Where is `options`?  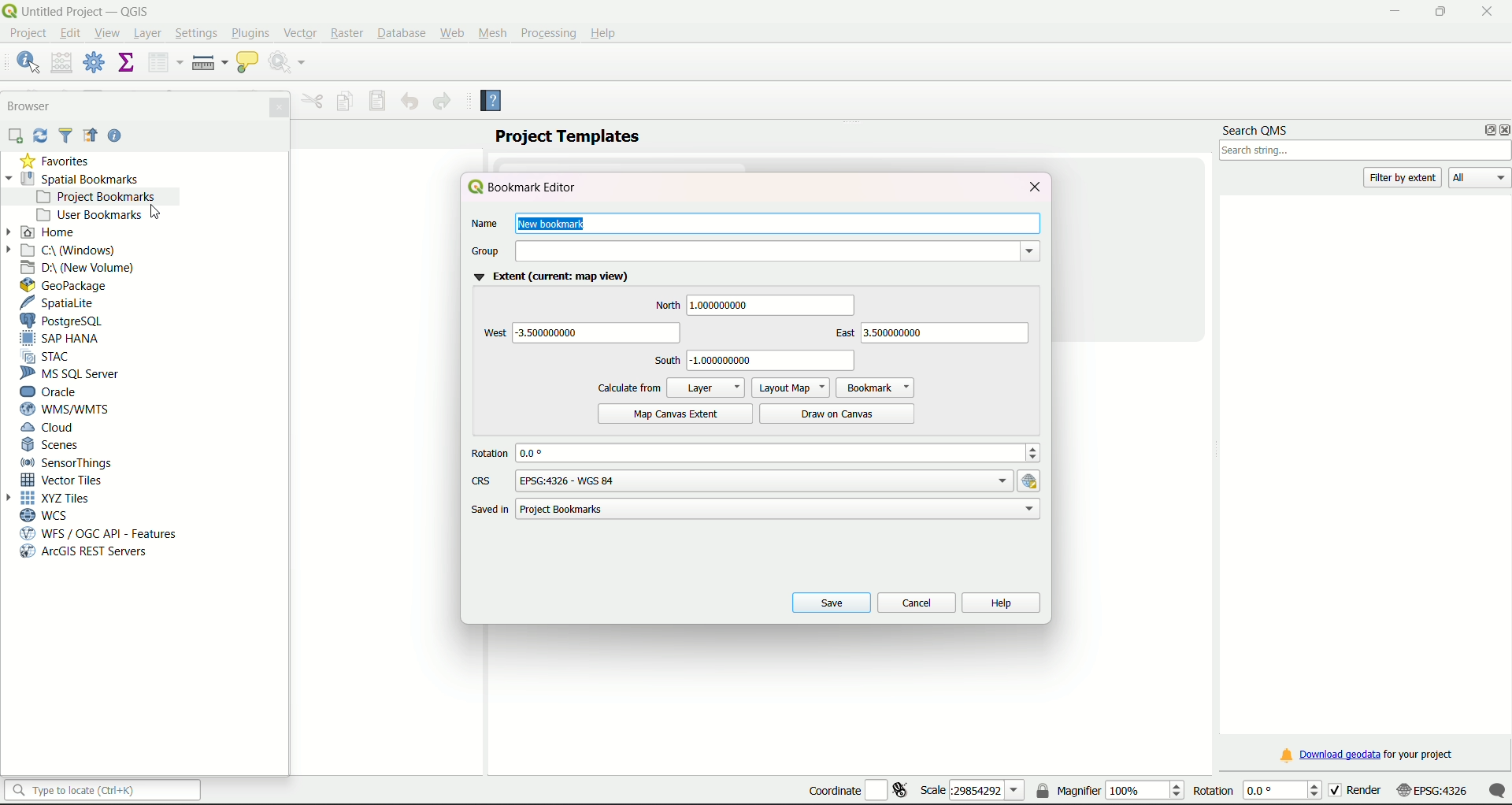
options is located at coordinates (1484, 130).